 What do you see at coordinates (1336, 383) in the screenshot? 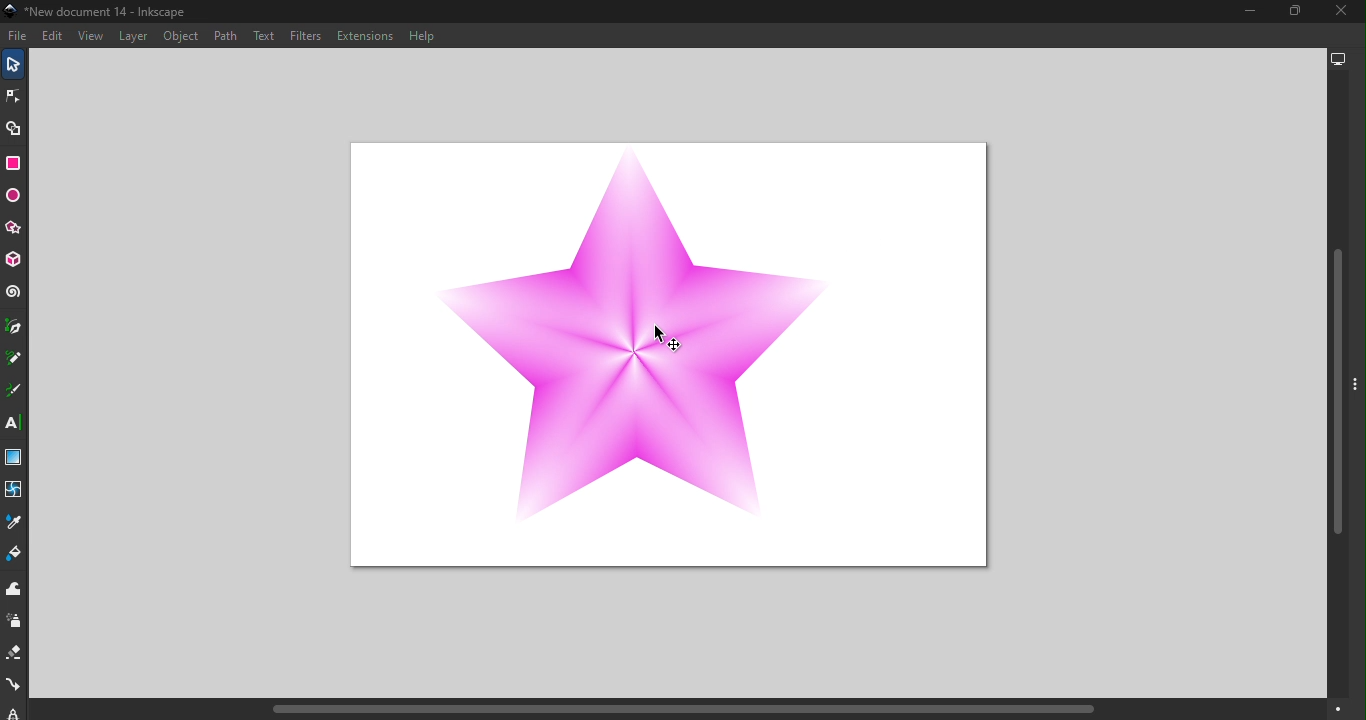
I see `Vertical scroll bar` at bounding box center [1336, 383].